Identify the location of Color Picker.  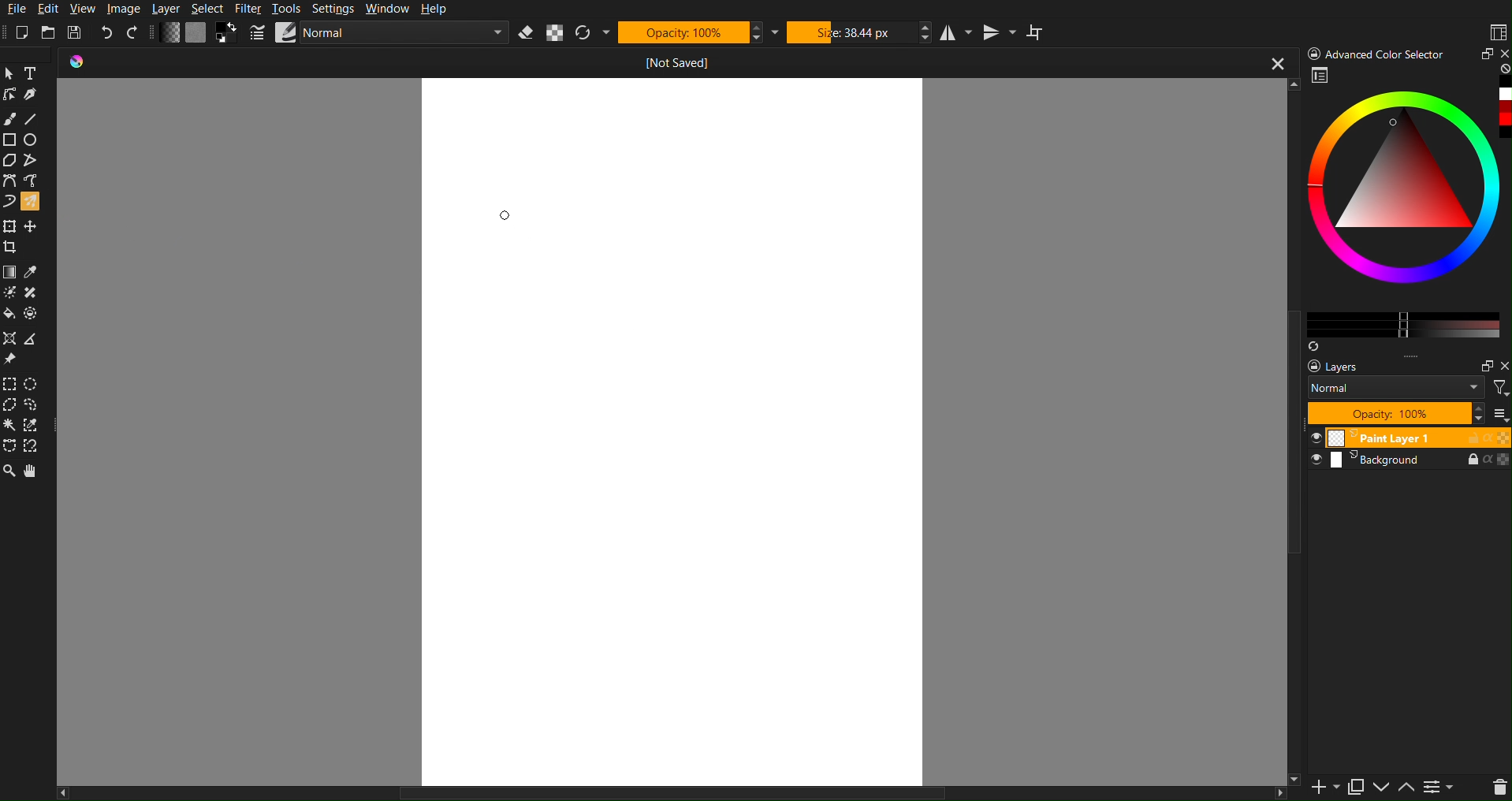
(35, 271).